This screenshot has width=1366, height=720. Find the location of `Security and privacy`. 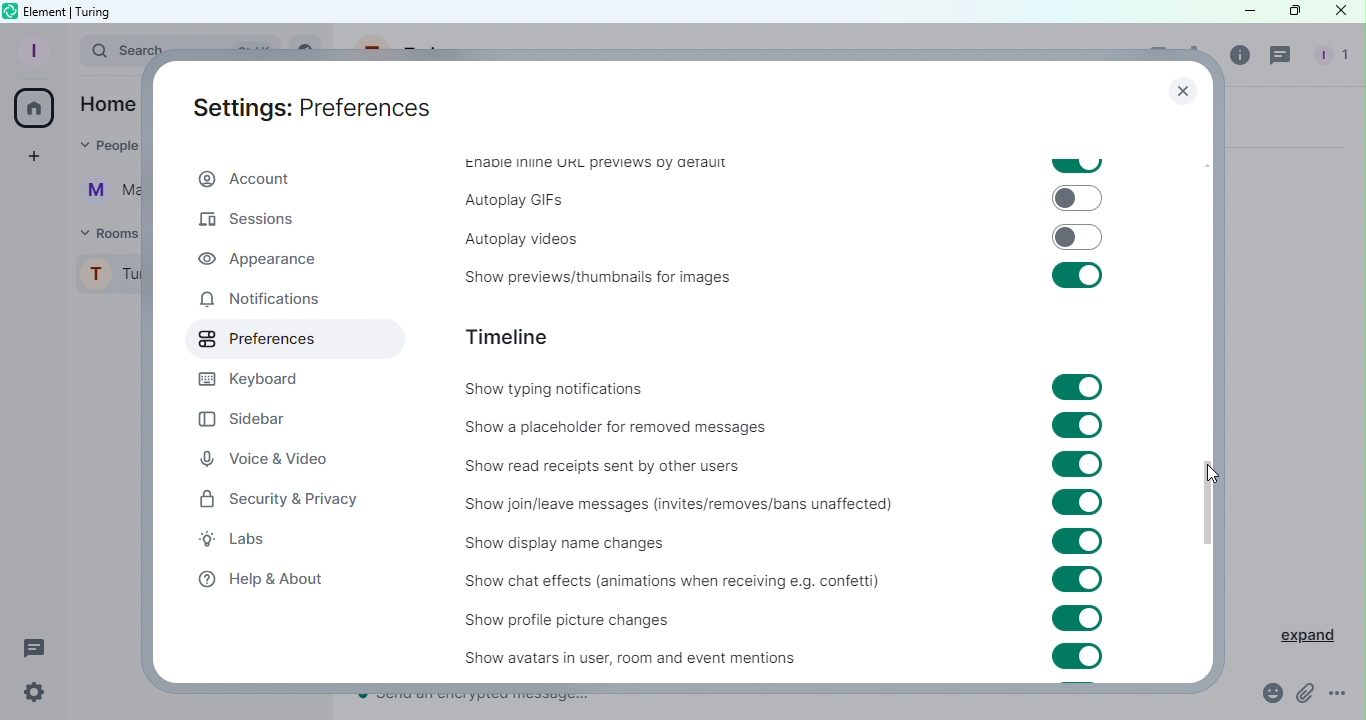

Security and privacy is located at coordinates (279, 503).